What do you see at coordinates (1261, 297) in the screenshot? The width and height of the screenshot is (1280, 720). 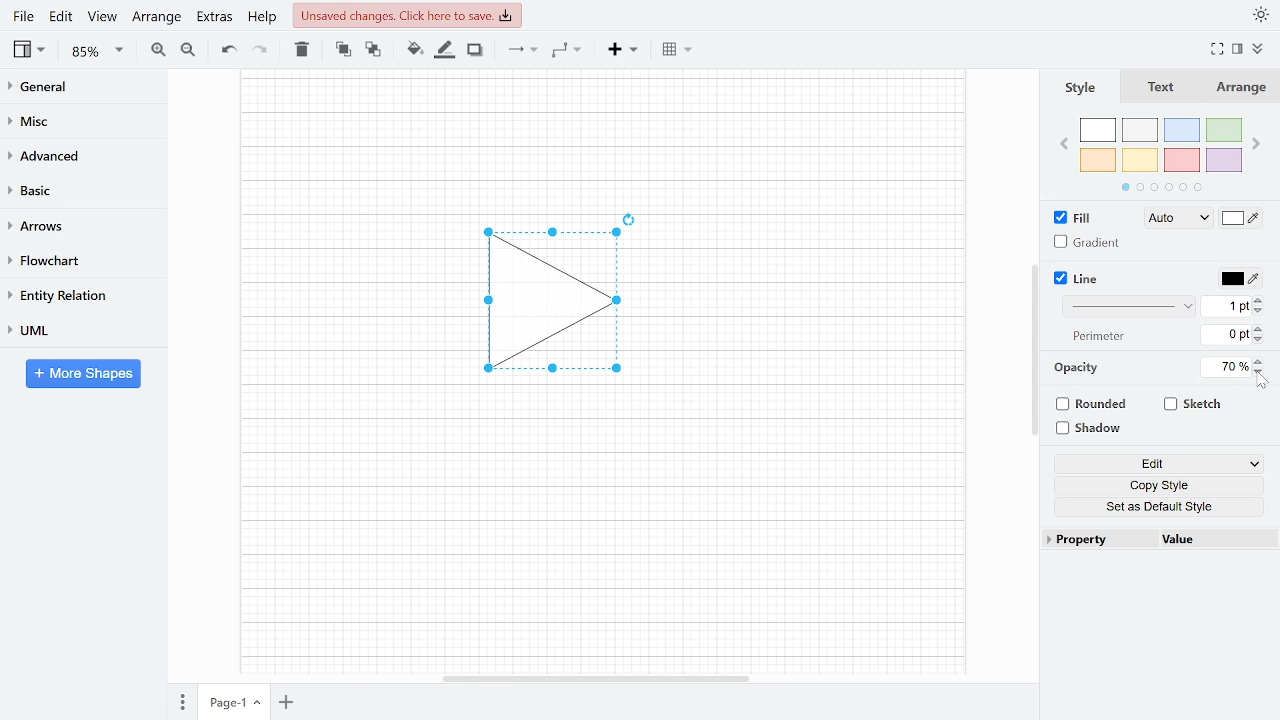 I see `INcrease line width` at bounding box center [1261, 297].